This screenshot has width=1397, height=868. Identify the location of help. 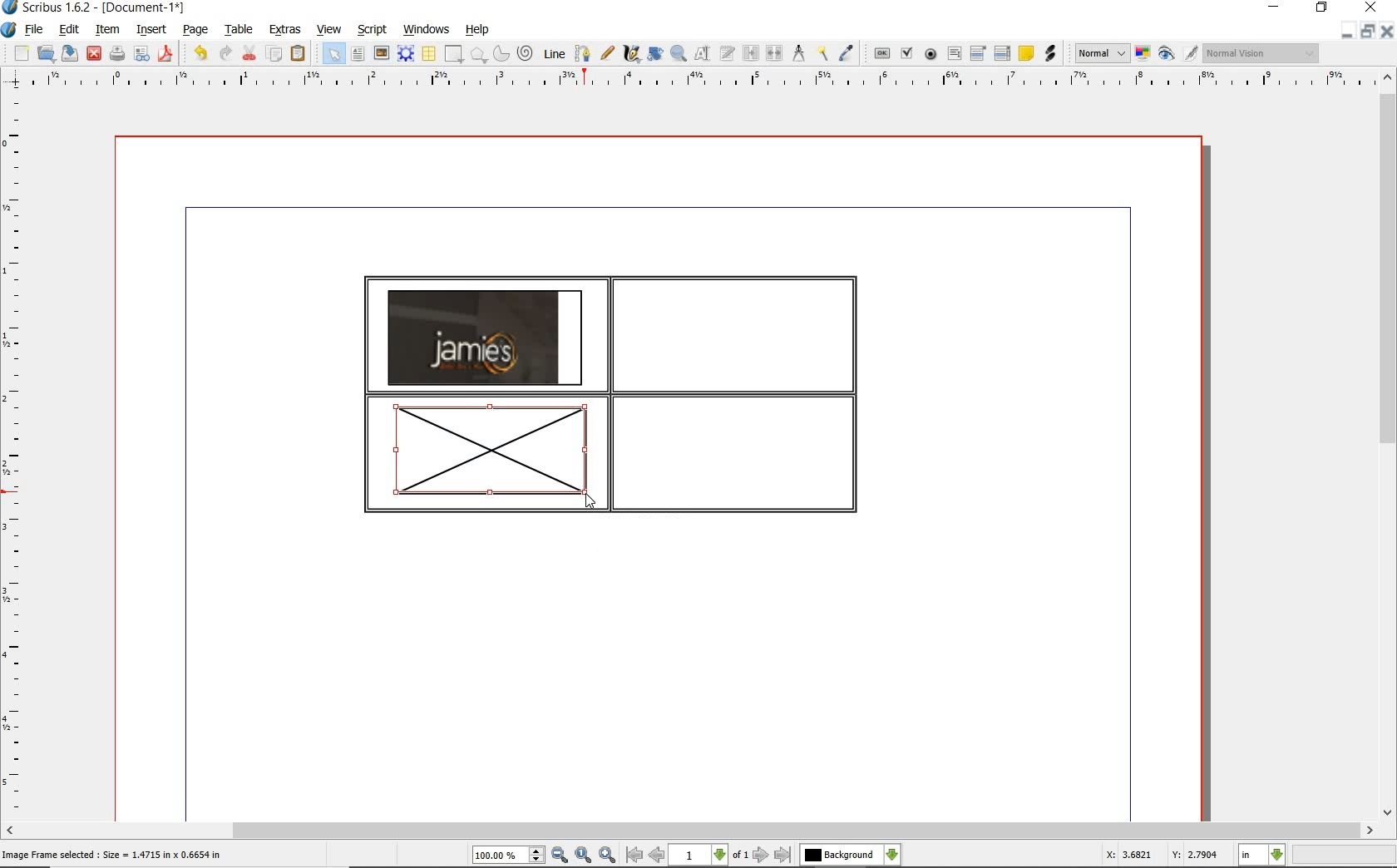
(477, 30).